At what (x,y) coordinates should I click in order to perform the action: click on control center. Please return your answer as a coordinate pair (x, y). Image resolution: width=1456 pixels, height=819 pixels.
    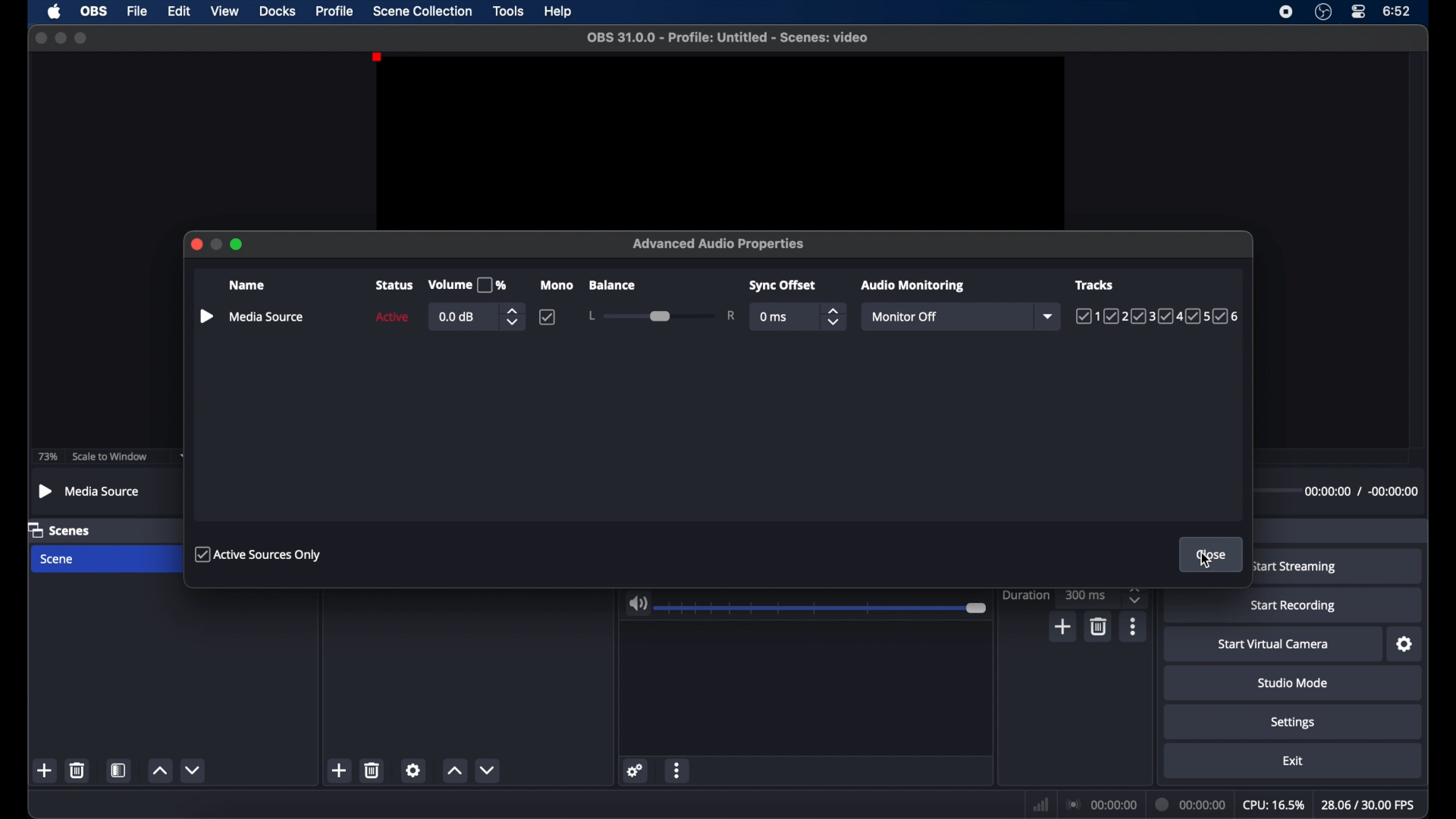
    Looking at the image, I should click on (1359, 11).